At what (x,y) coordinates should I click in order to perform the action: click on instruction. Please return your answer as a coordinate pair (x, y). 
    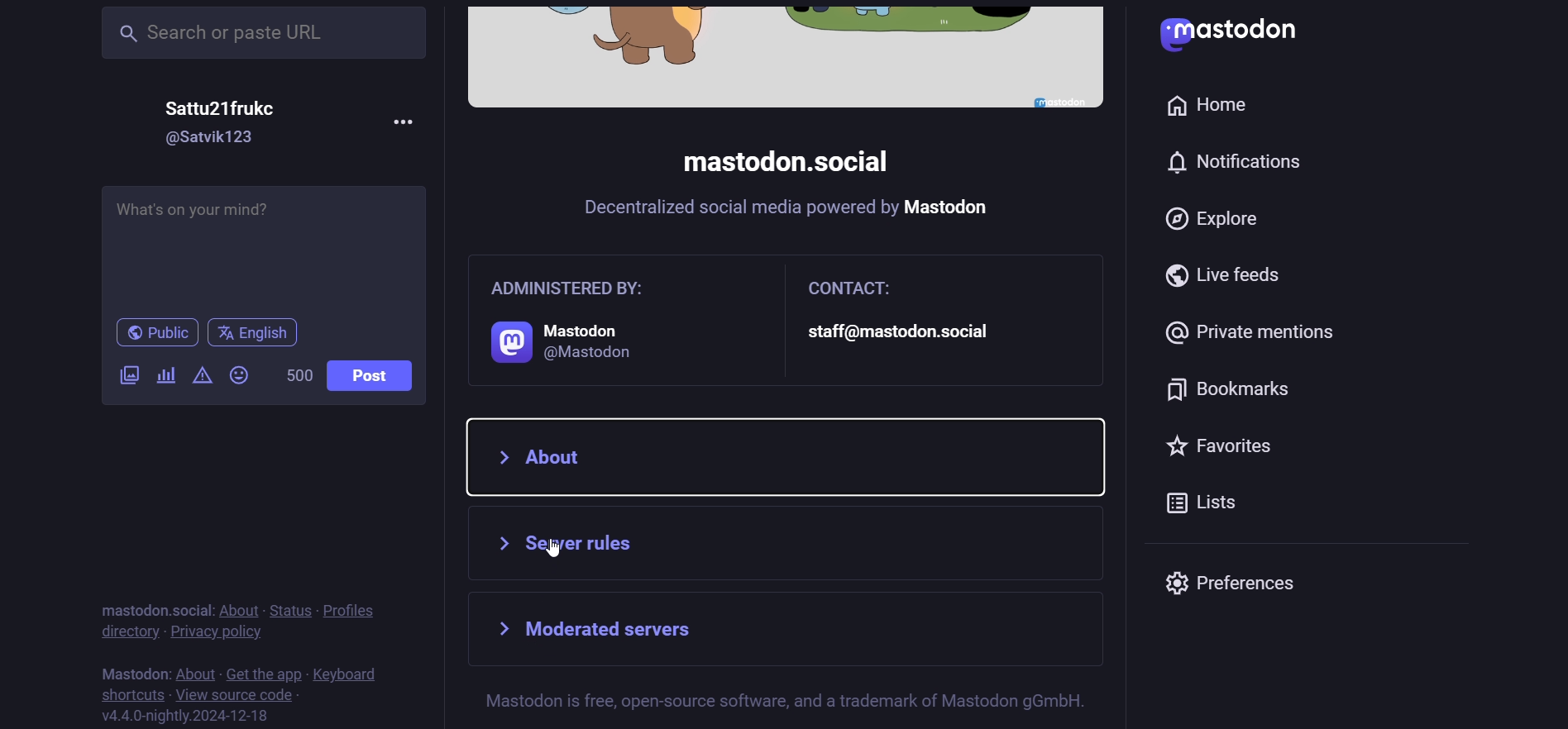
    Looking at the image, I should click on (789, 700).